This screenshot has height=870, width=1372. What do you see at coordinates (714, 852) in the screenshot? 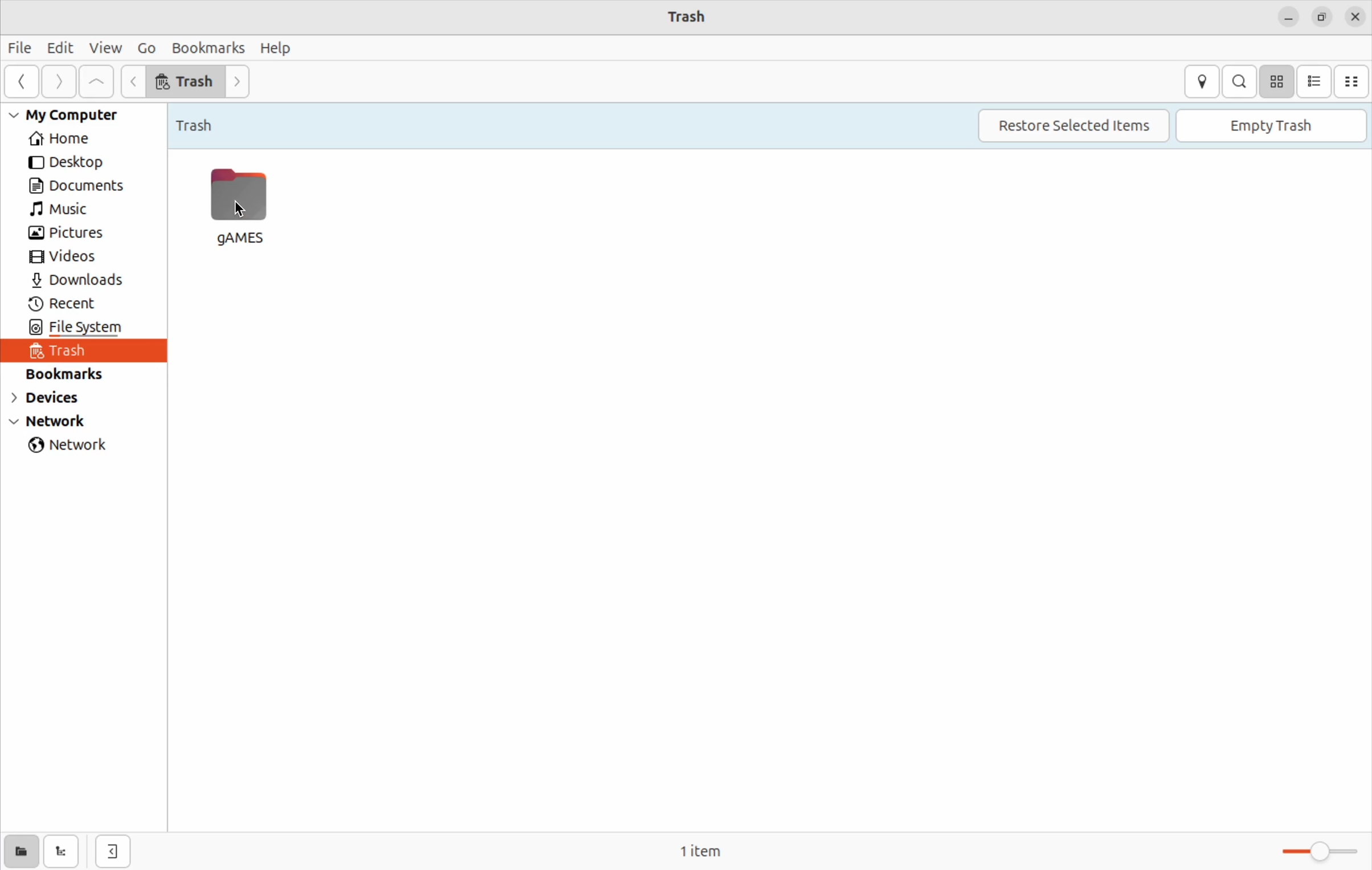
I see `0 items free space 51.8 Gb remaining.` at bounding box center [714, 852].